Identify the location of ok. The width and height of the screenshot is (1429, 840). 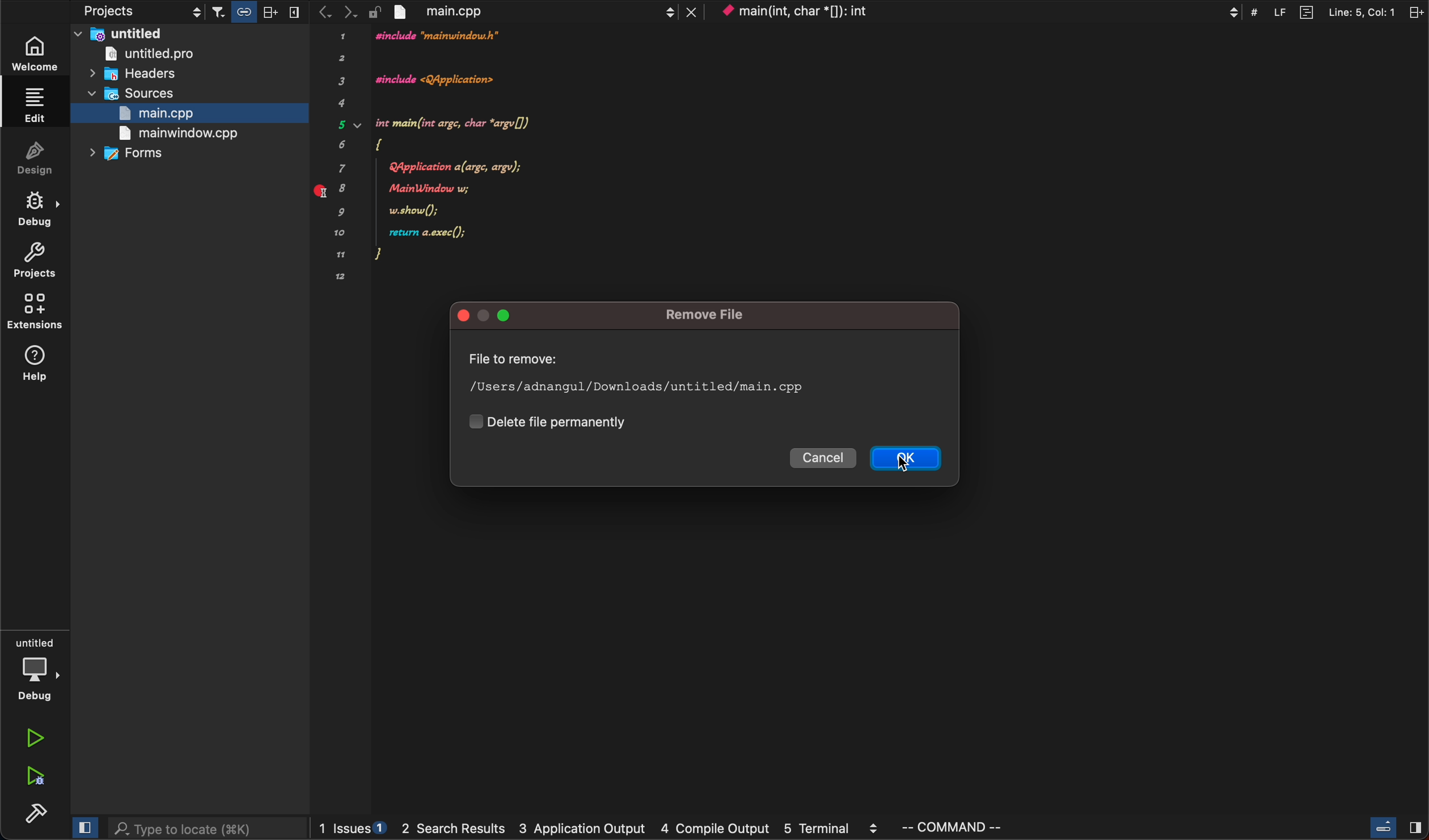
(908, 460).